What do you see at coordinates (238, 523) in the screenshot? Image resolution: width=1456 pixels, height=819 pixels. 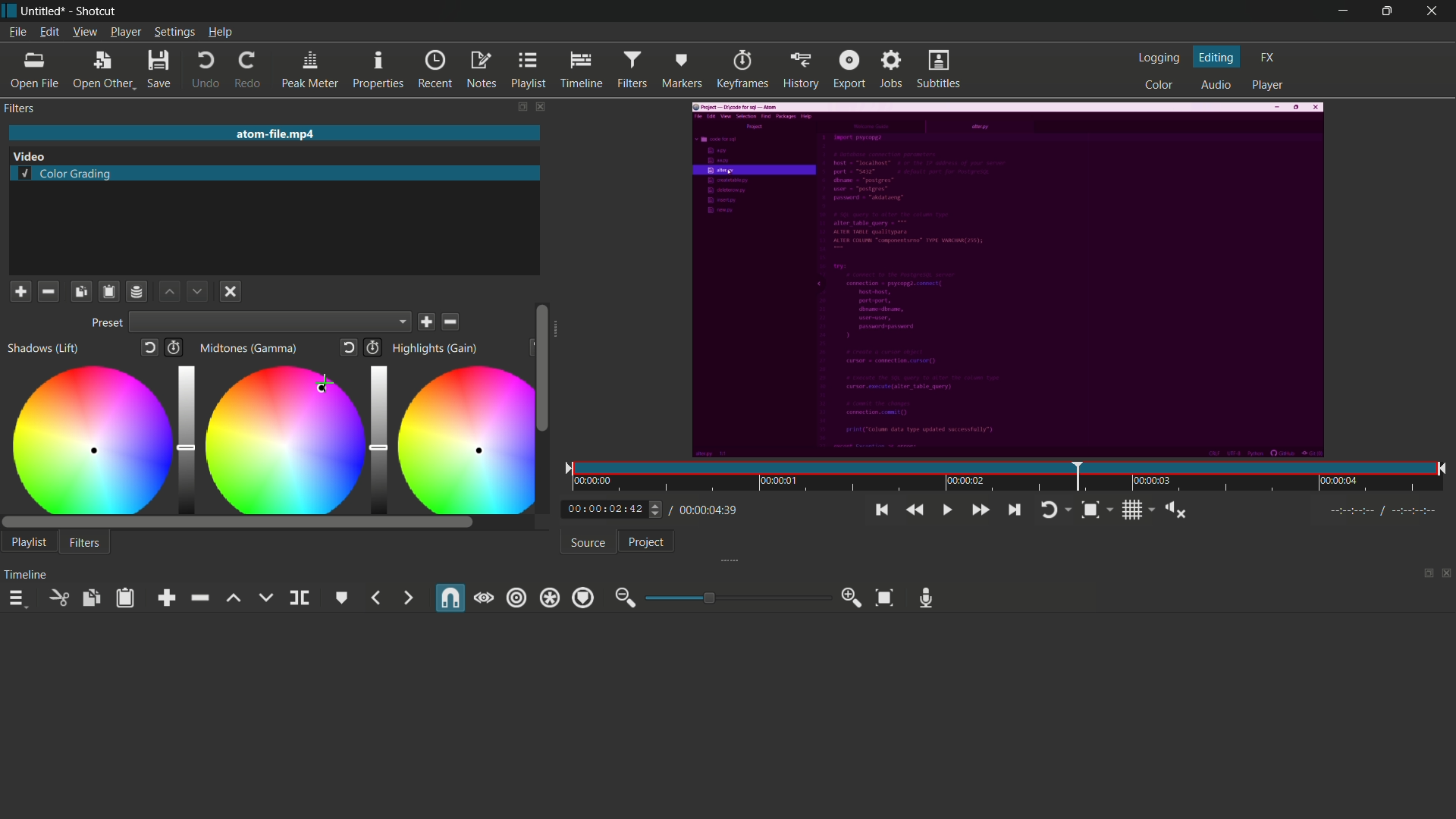 I see `Scroller` at bounding box center [238, 523].